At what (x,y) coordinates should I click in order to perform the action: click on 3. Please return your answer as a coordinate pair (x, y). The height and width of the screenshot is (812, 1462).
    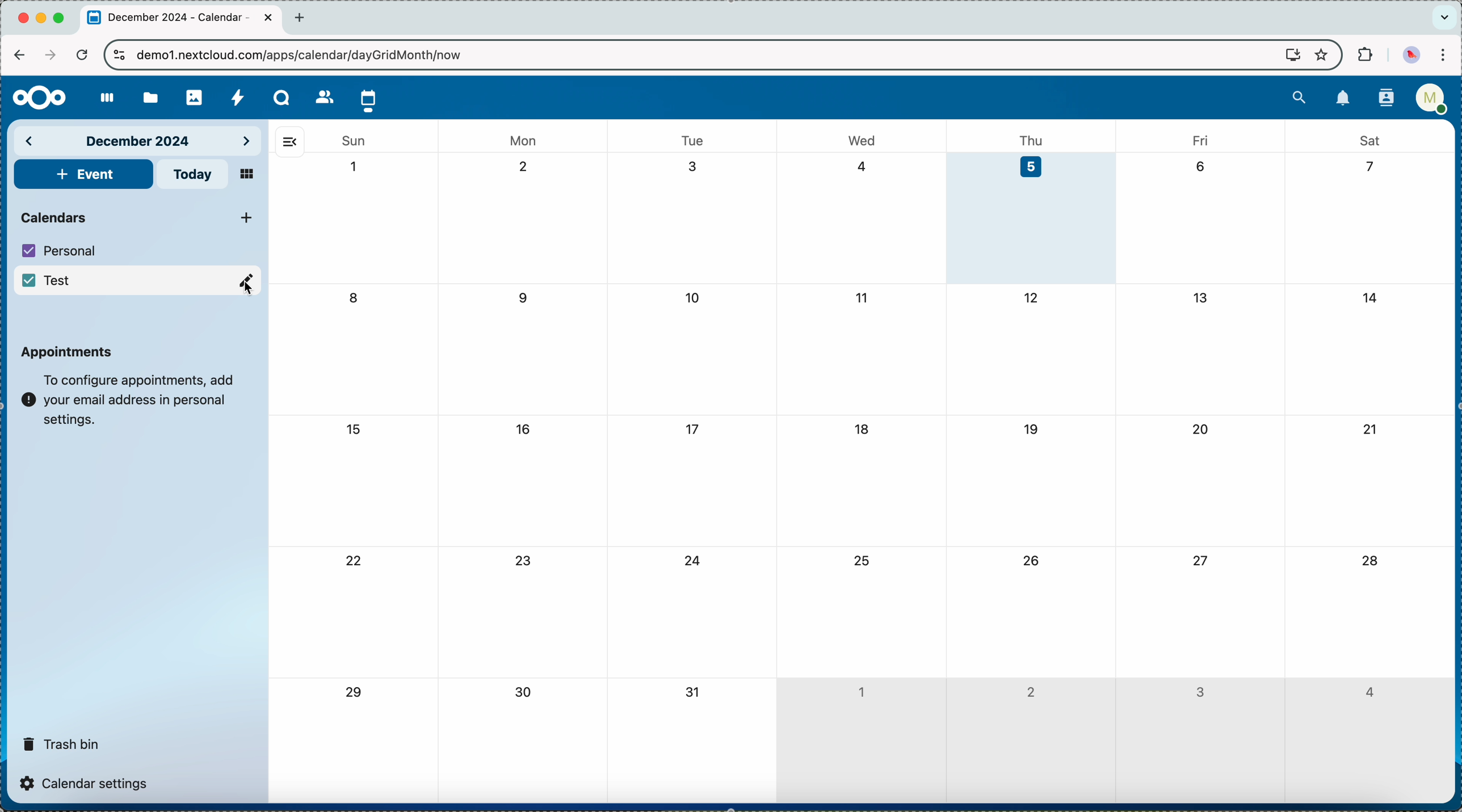
    Looking at the image, I should click on (1200, 693).